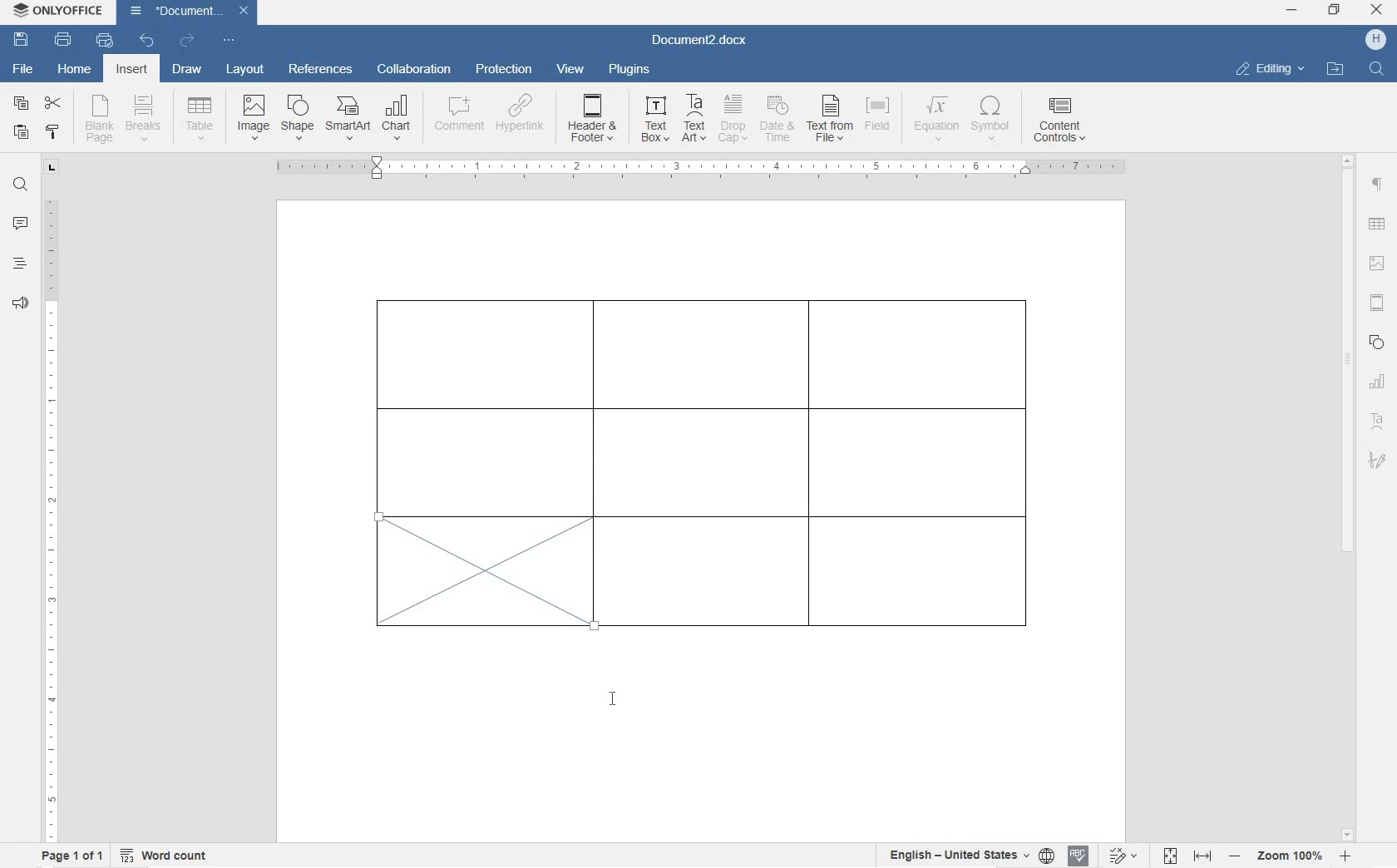 The width and height of the screenshot is (1397, 868). I want to click on TEXT BOX, so click(653, 121).